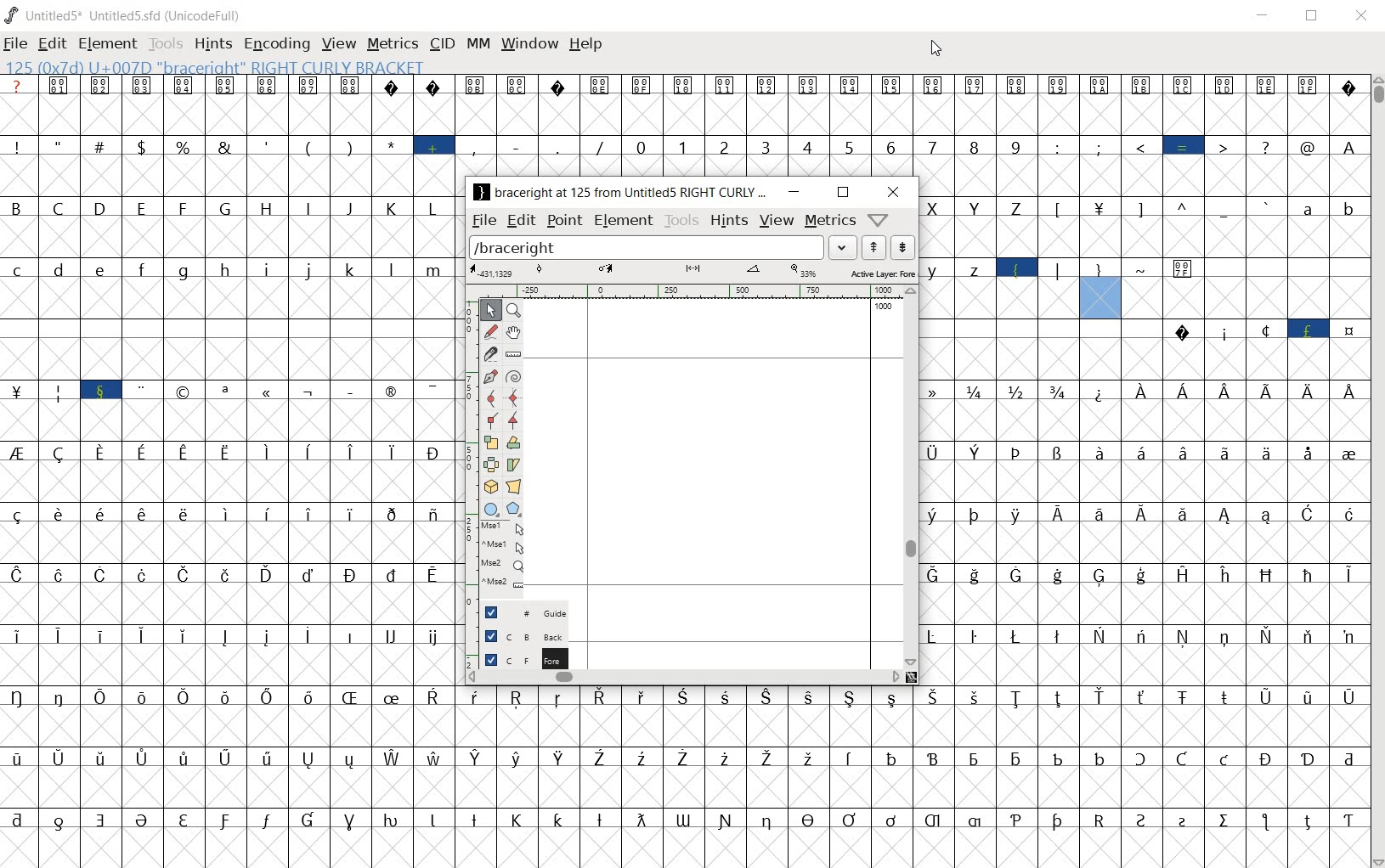  Describe the element at coordinates (684, 677) in the screenshot. I see `scrollbar` at that location.